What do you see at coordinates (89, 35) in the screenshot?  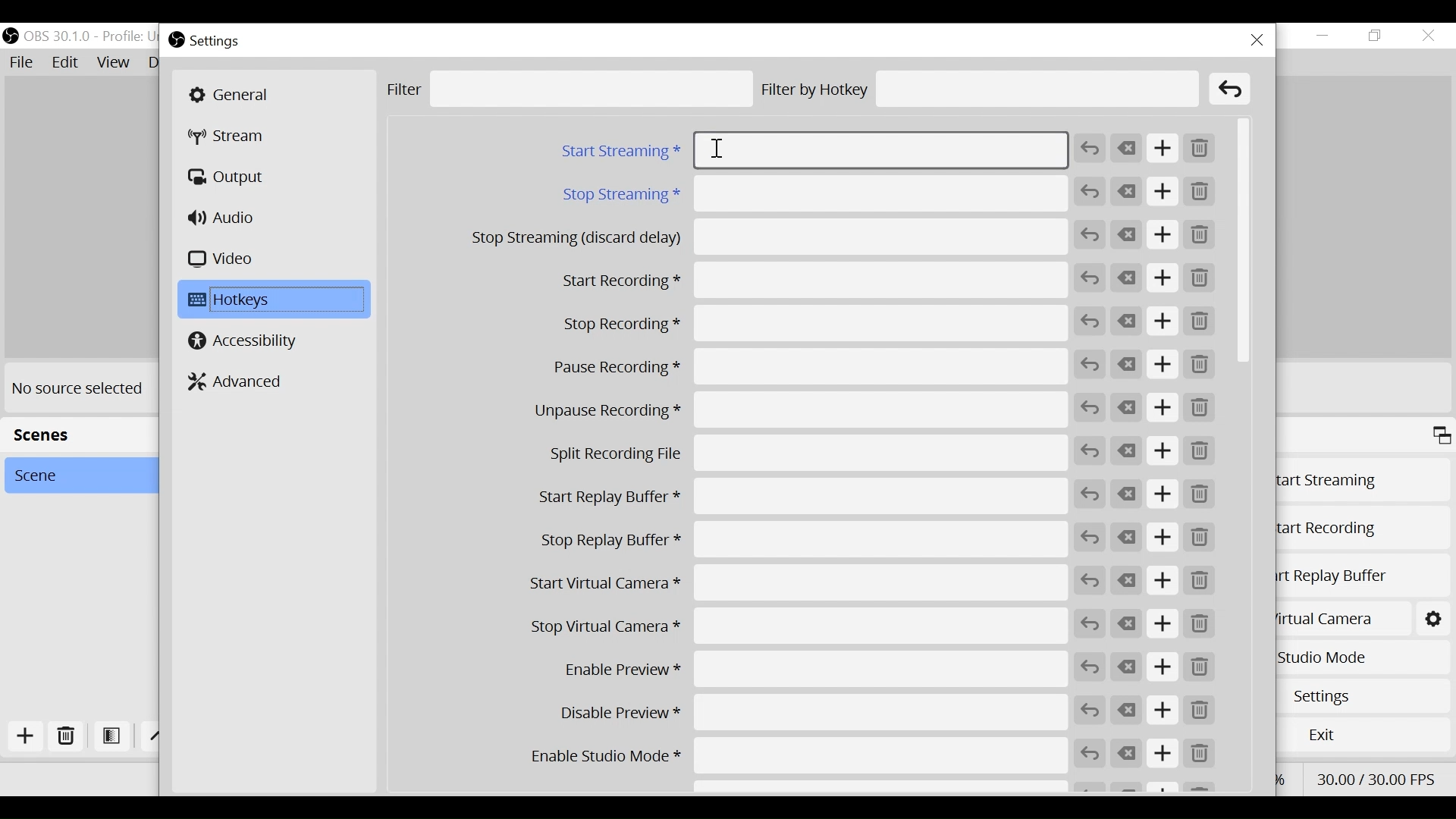 I see `OBS Version` at bounding box center [89, 35].